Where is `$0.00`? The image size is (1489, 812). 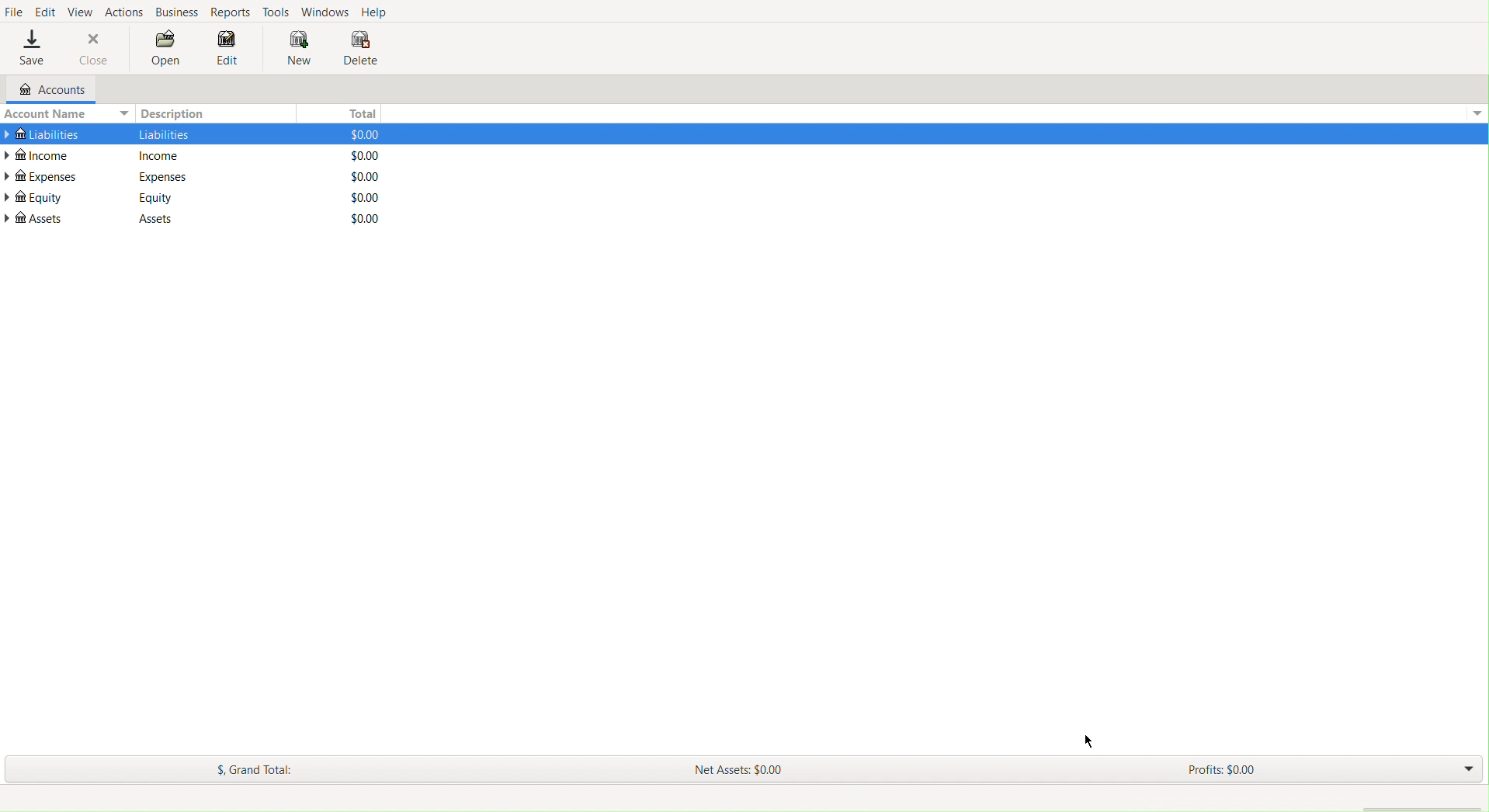
$0.00 is located at coordinates (358, 134).